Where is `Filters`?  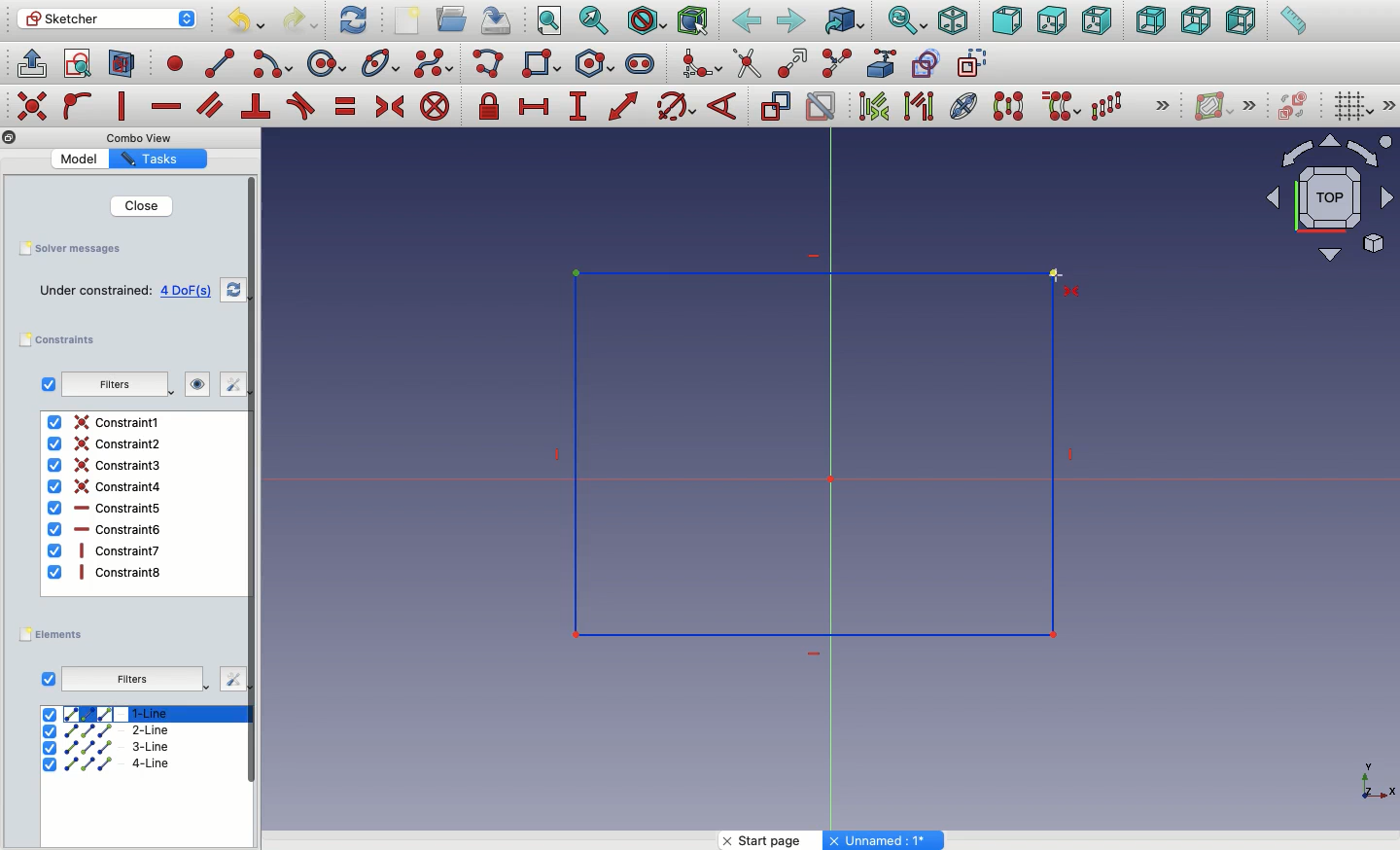 Filters is located at coordinates (131, 680).